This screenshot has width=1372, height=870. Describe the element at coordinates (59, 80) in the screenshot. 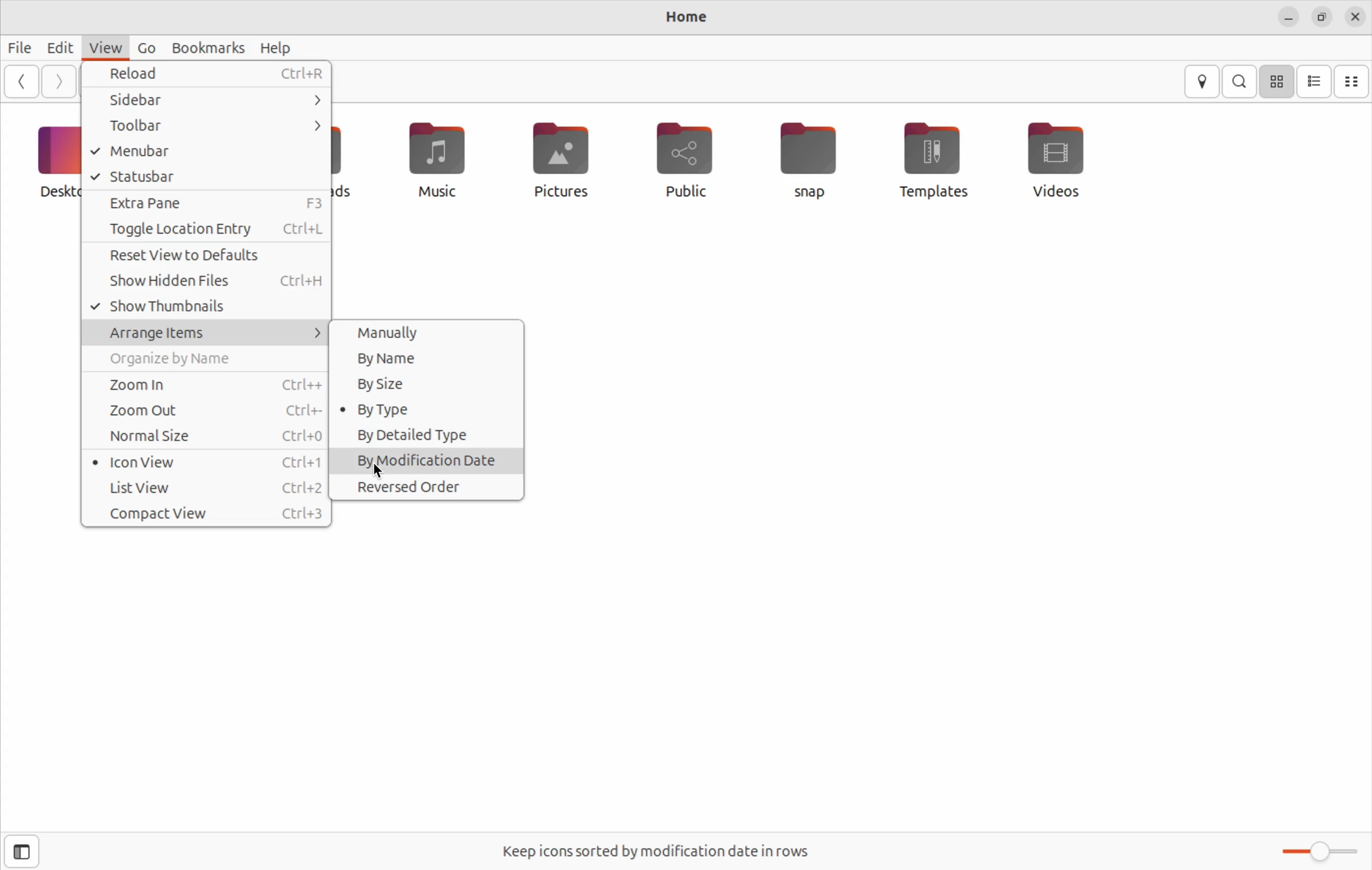

I see `Go next` at that location.